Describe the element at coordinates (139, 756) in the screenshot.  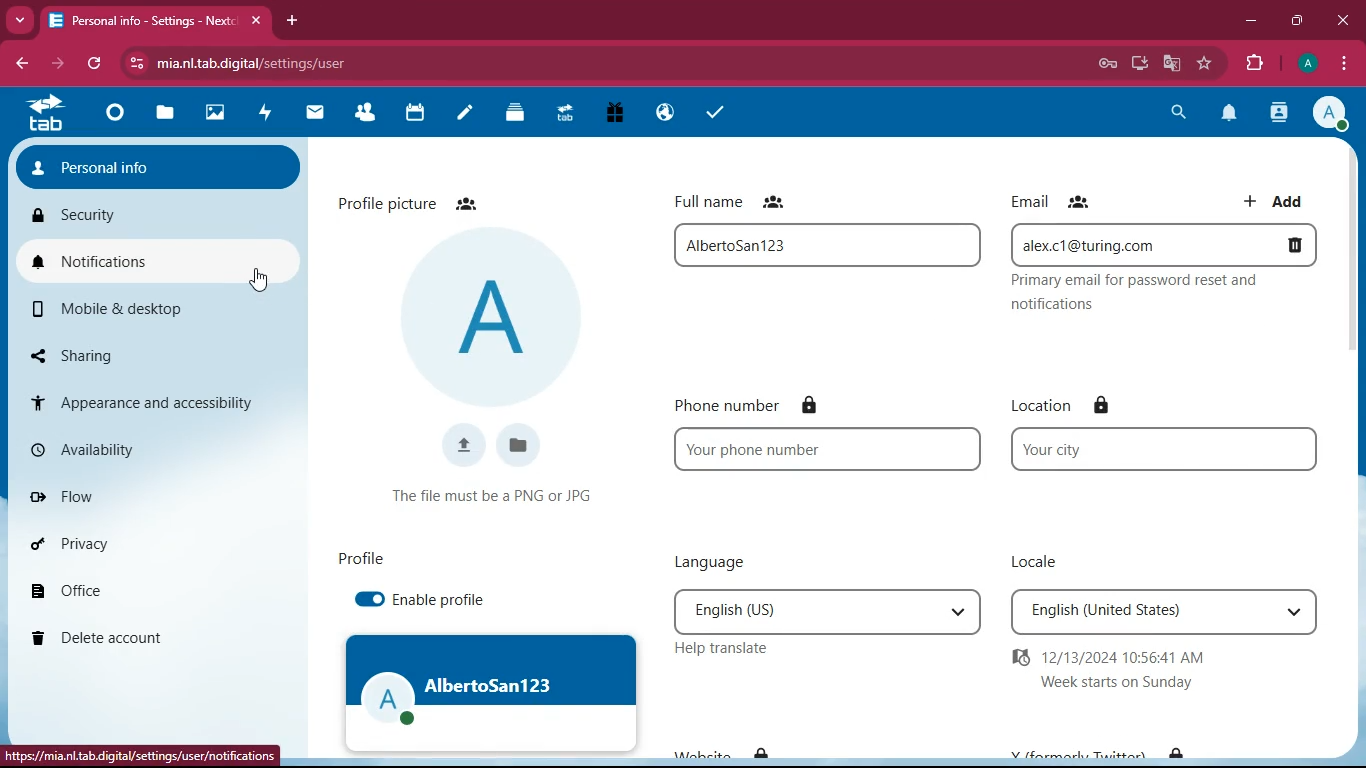
I see `https://mia.nl.tab.digital/settings/user/notifications` at that location.